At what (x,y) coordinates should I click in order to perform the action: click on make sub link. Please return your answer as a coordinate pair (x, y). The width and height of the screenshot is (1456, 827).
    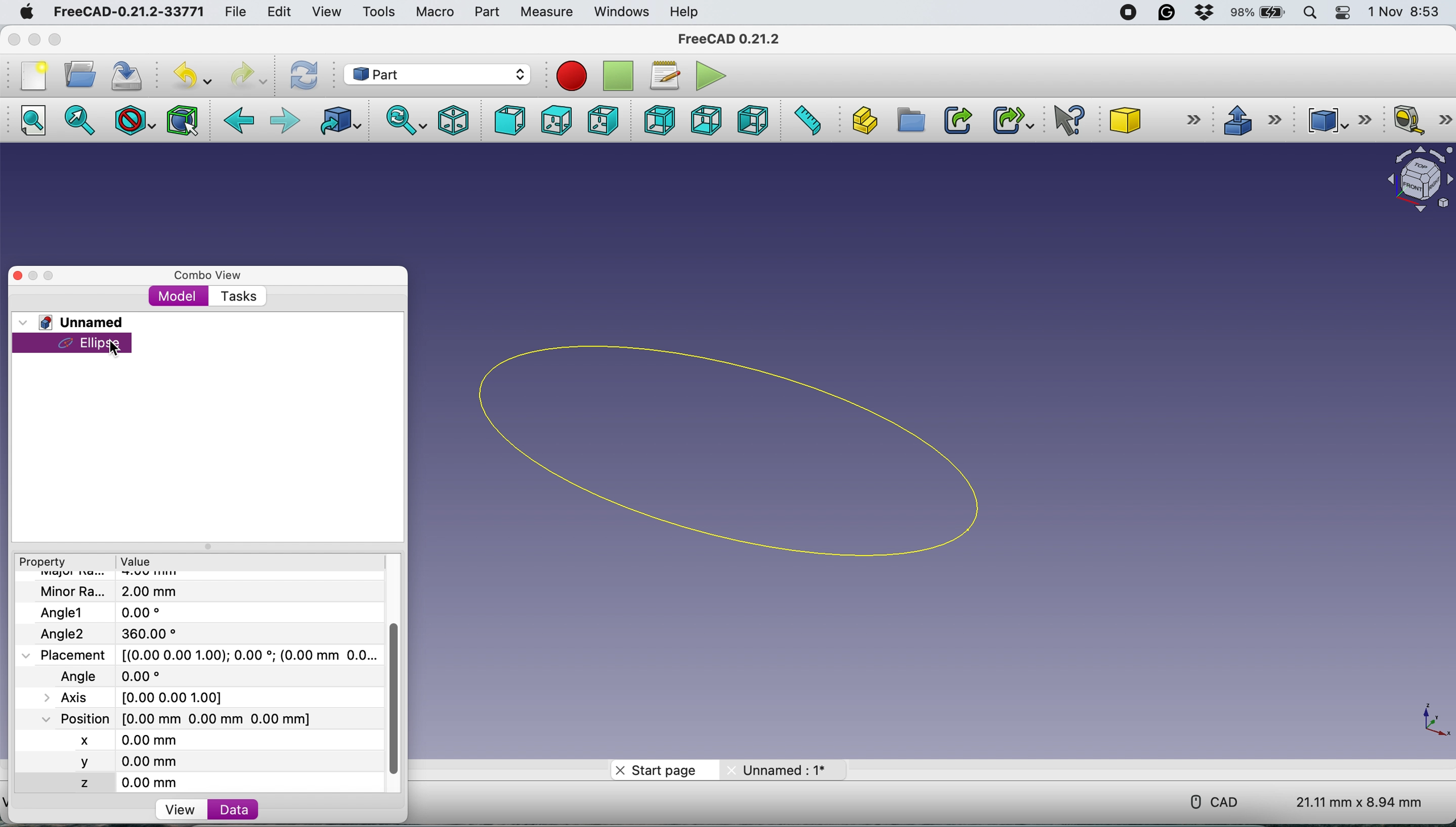
    Looking at the image, I should click on (1009, 121).